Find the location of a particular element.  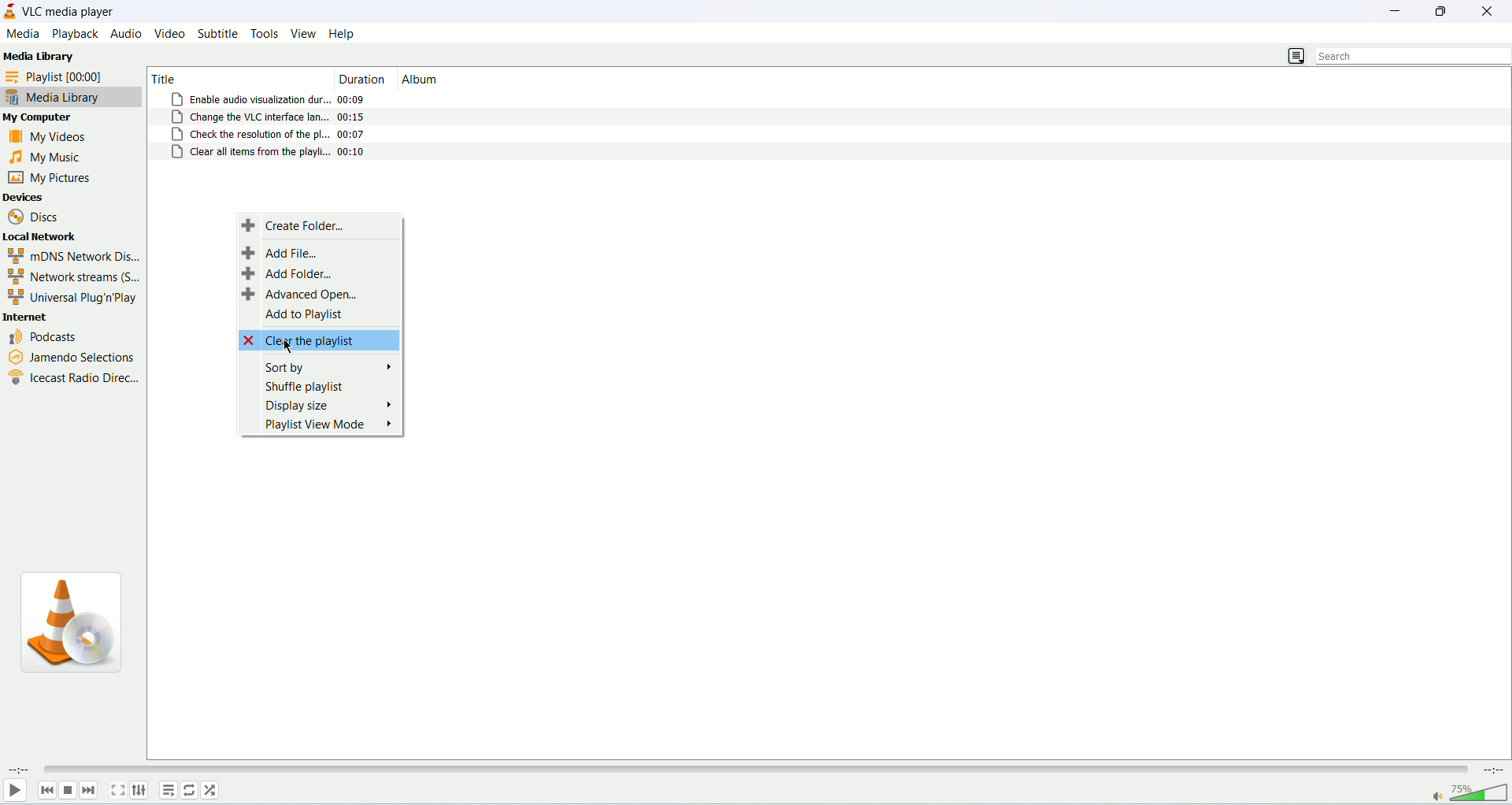

view is located at coordinates (303, 33).